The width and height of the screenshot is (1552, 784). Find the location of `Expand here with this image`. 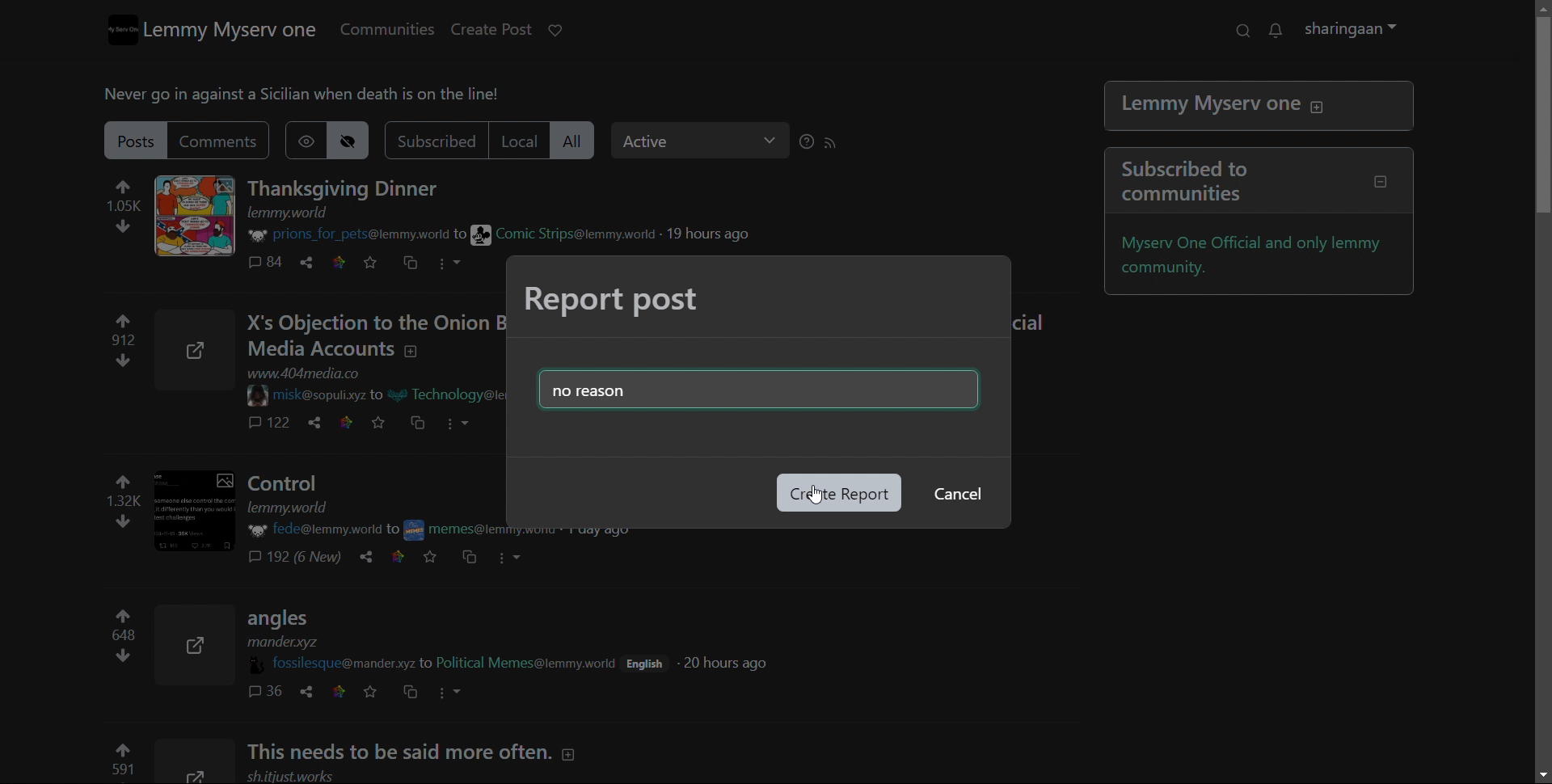

Expand here with this image is located at coordinates (199, 647).